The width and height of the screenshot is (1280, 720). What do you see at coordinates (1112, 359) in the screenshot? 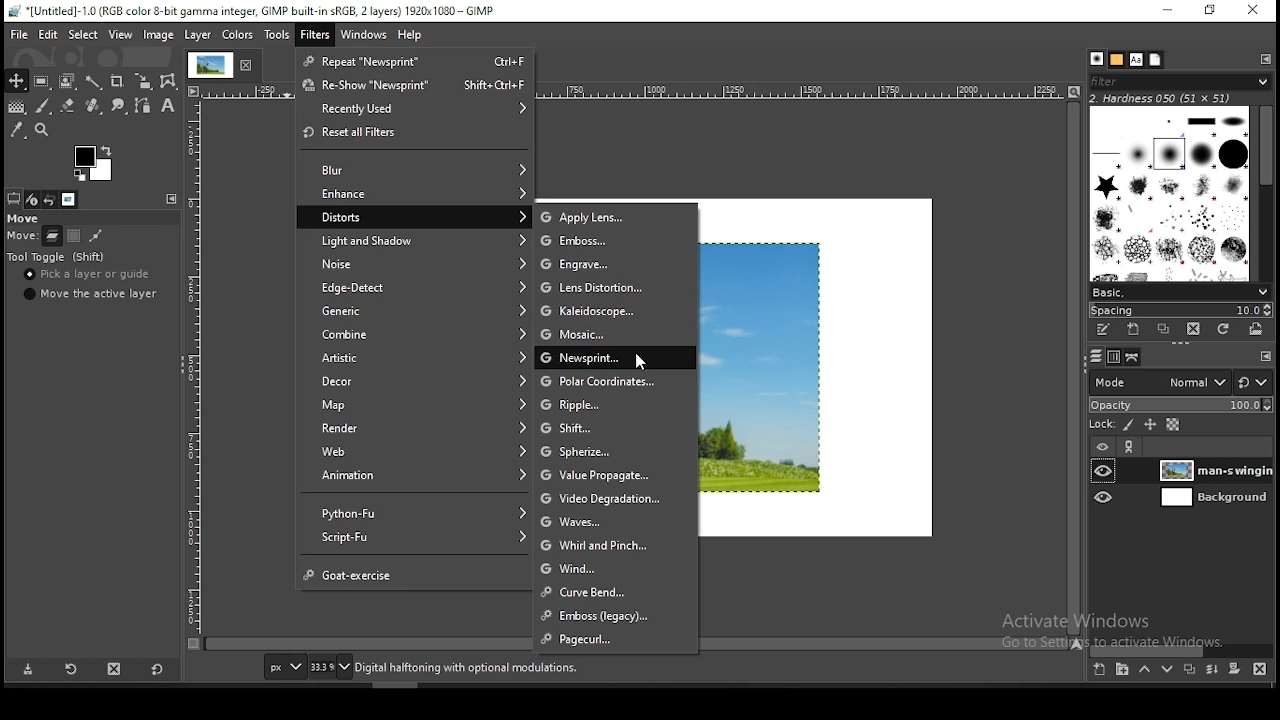
I see `channels` at bounding box center [1112, 359].